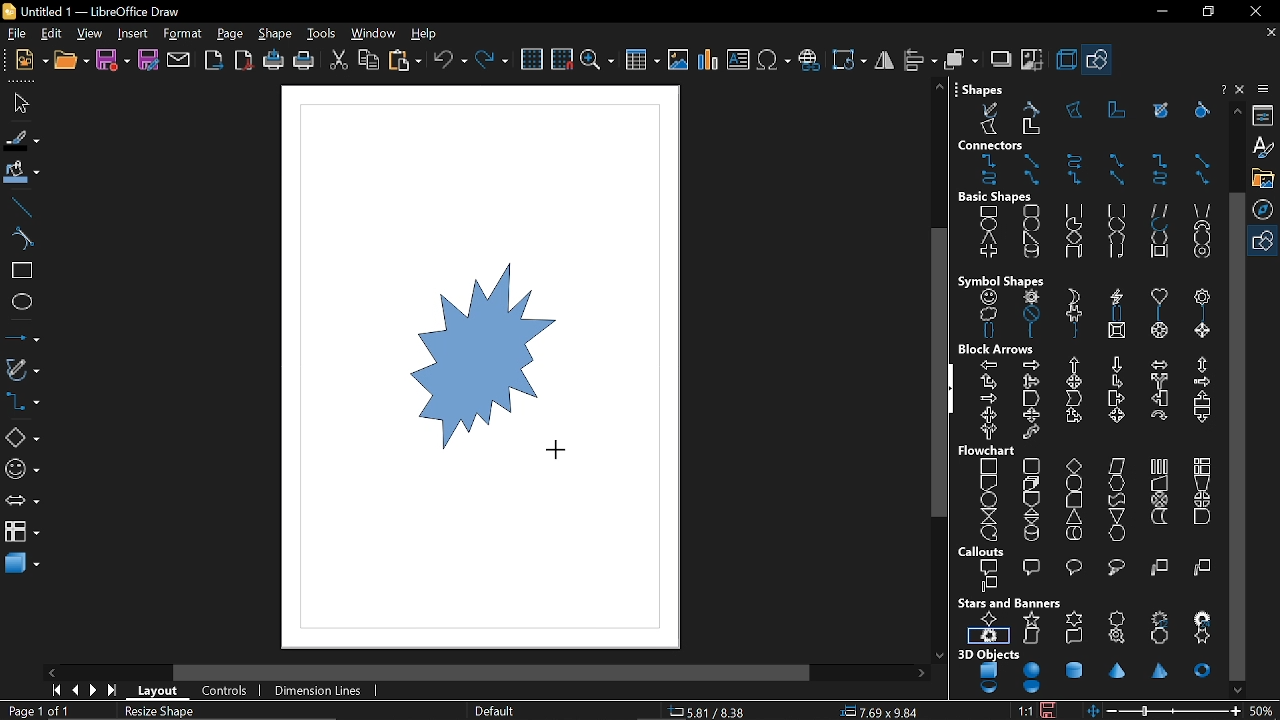 The image size is (1280, 720). Describe the element at coordinates (1091, 493) in the screenshot. I see `flowchart` at that location.